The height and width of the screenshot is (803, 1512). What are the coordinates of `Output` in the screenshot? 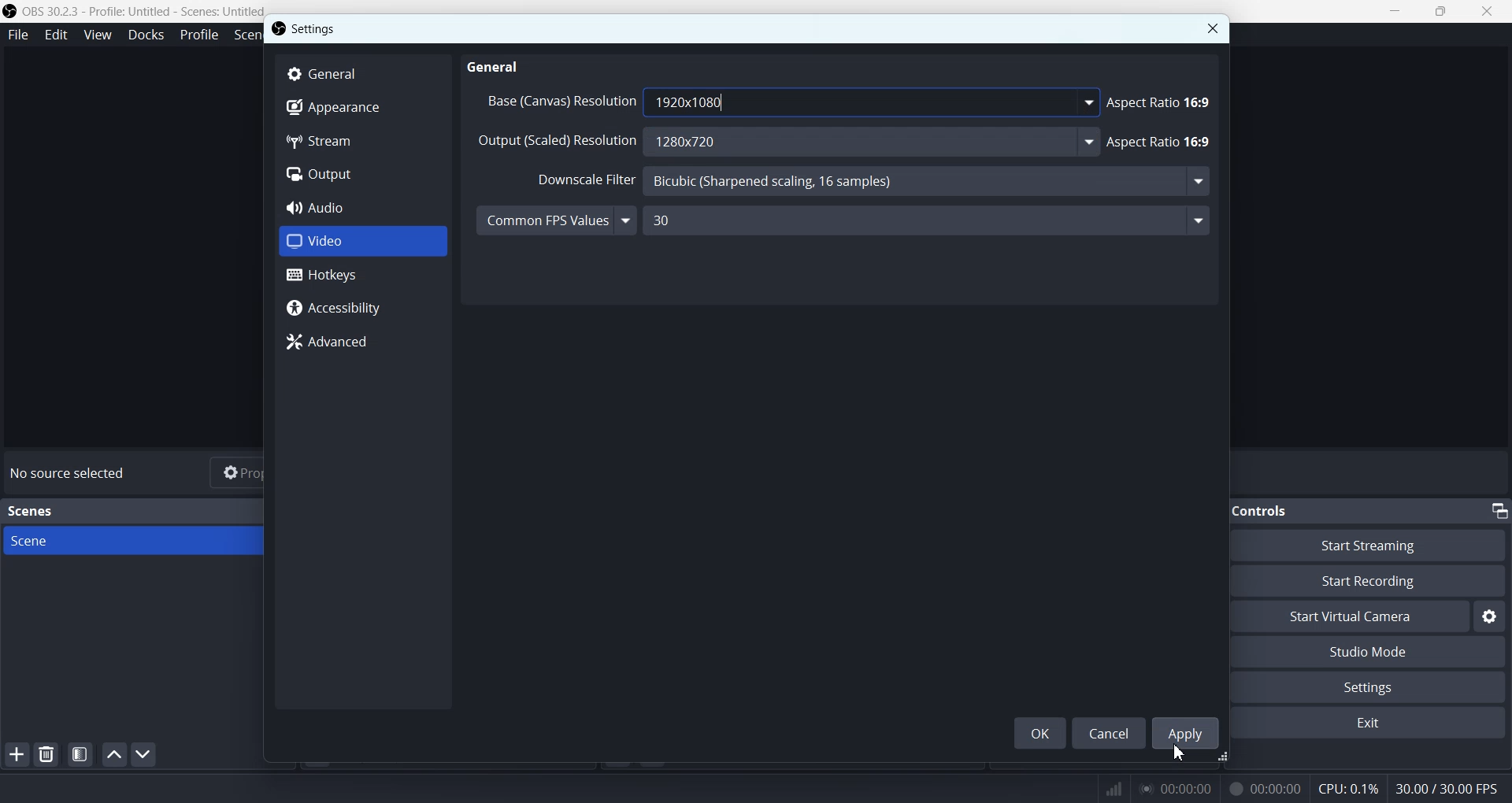 It's located at (362, 174).